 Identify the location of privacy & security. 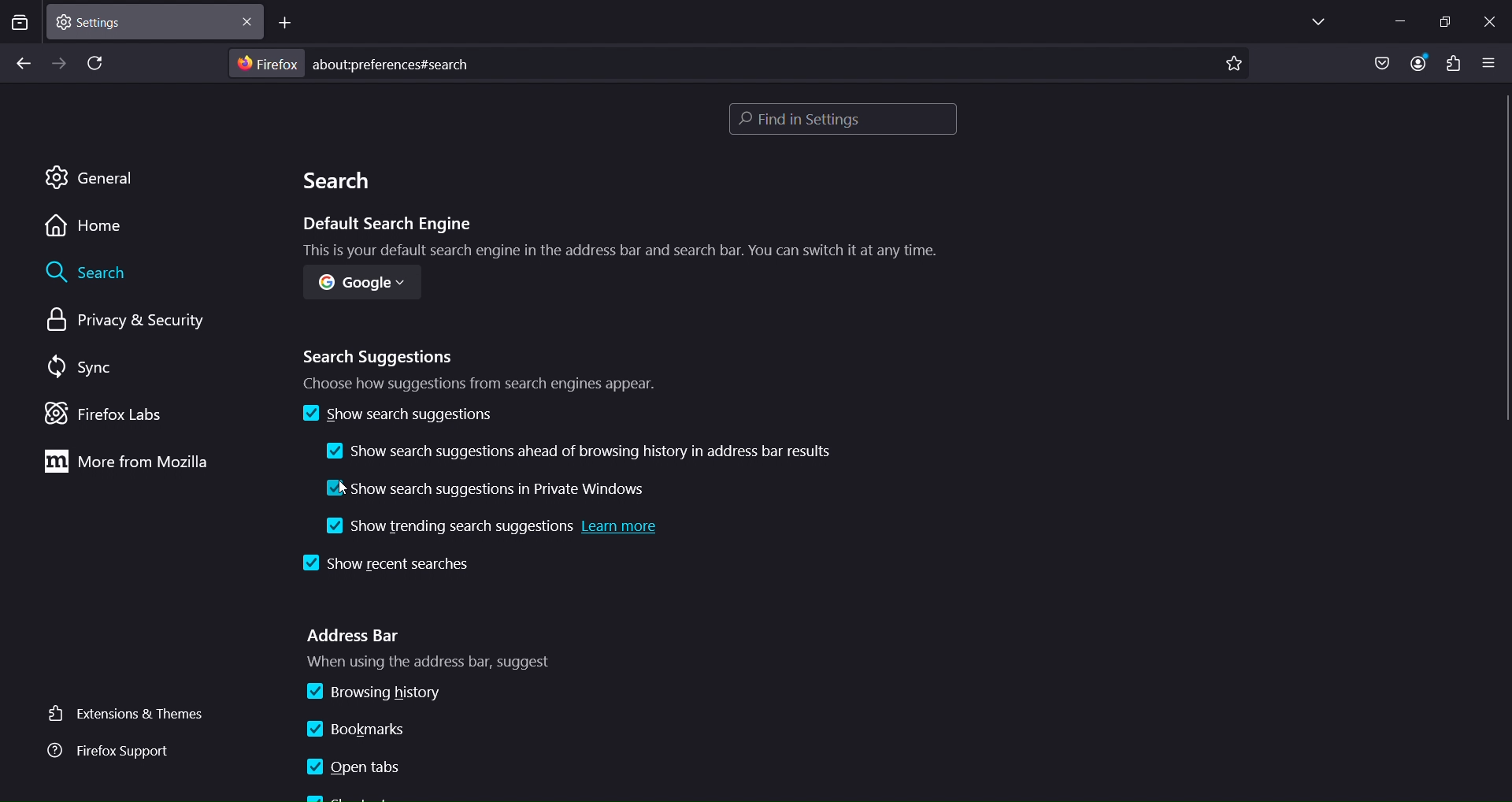
(120, 323).